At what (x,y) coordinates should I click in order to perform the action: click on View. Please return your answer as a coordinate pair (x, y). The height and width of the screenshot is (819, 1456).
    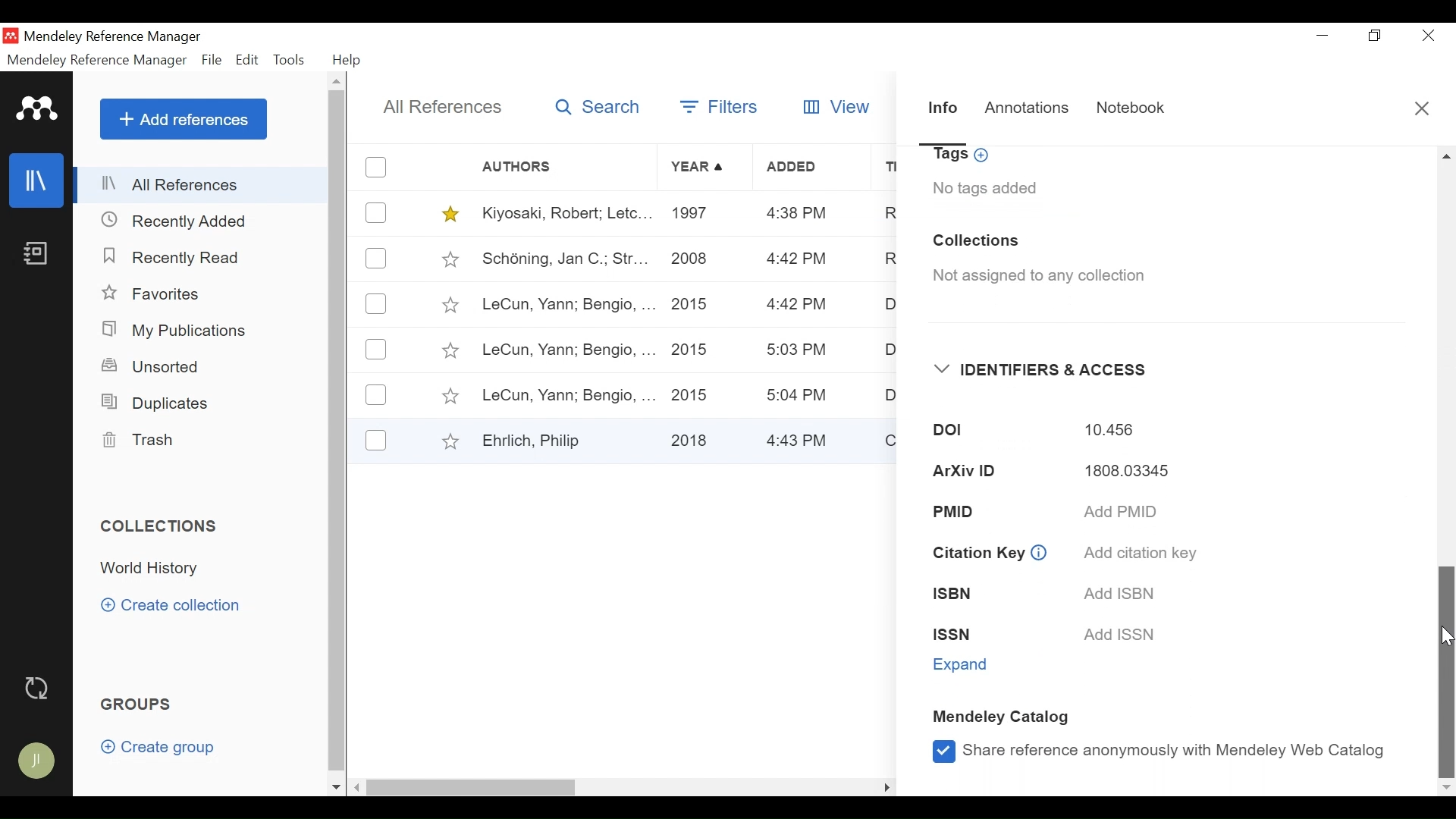
    Looking at the image, I should click on (839, 107).